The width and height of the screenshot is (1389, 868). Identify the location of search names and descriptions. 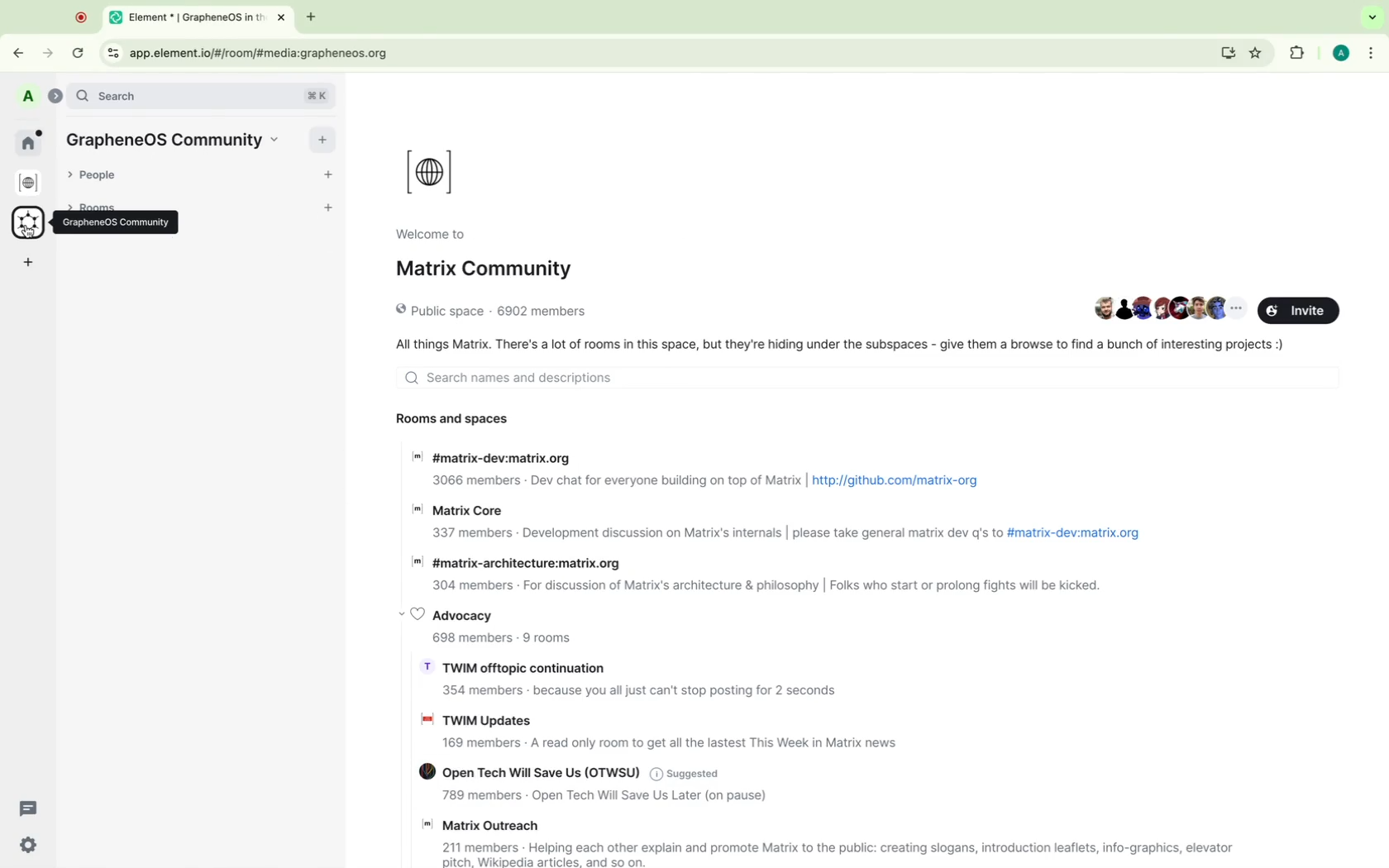
(863, 379).